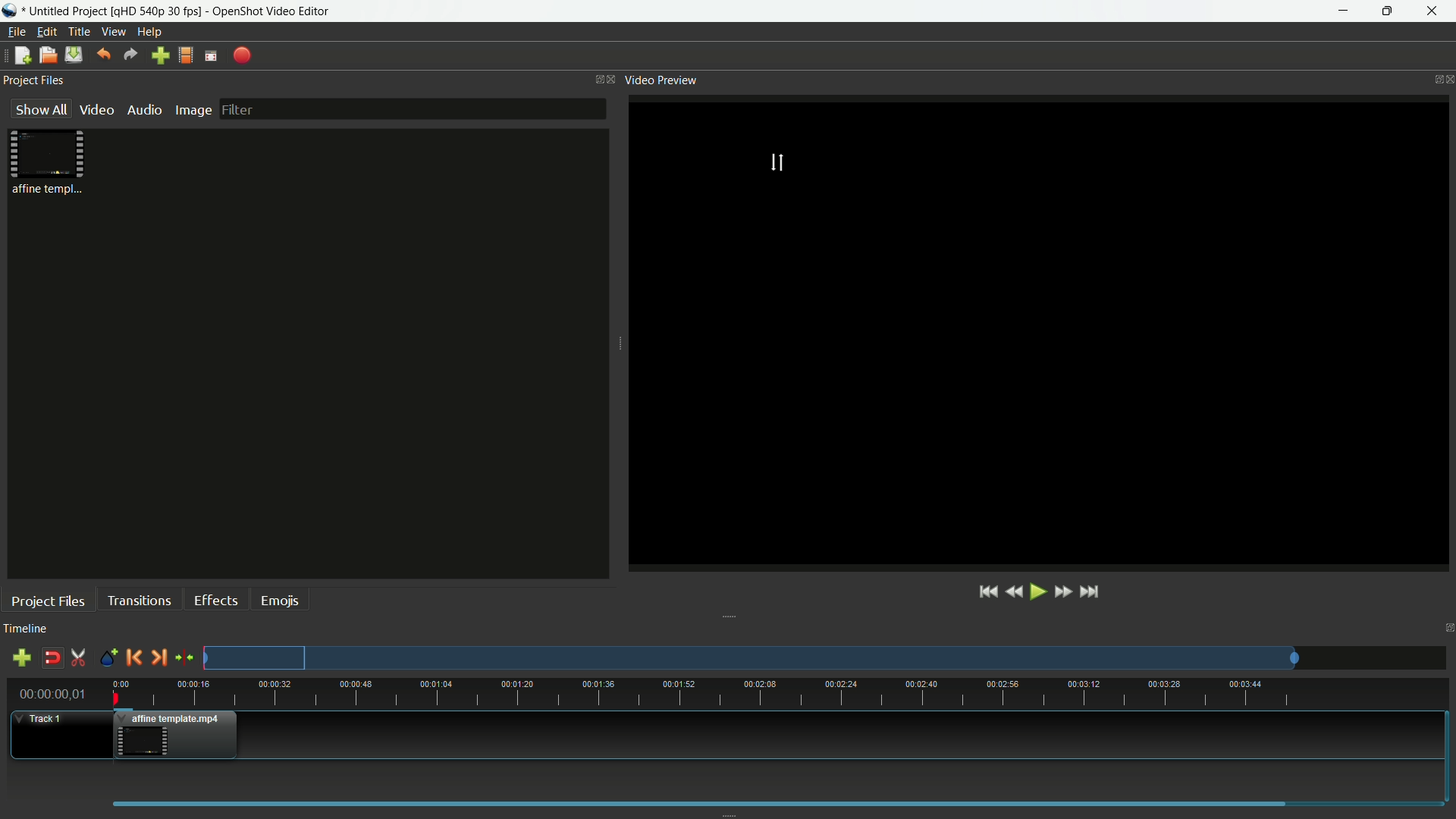  Describe the element at coordinates (263, 11) in the screenshot. I see `app name` at that location.